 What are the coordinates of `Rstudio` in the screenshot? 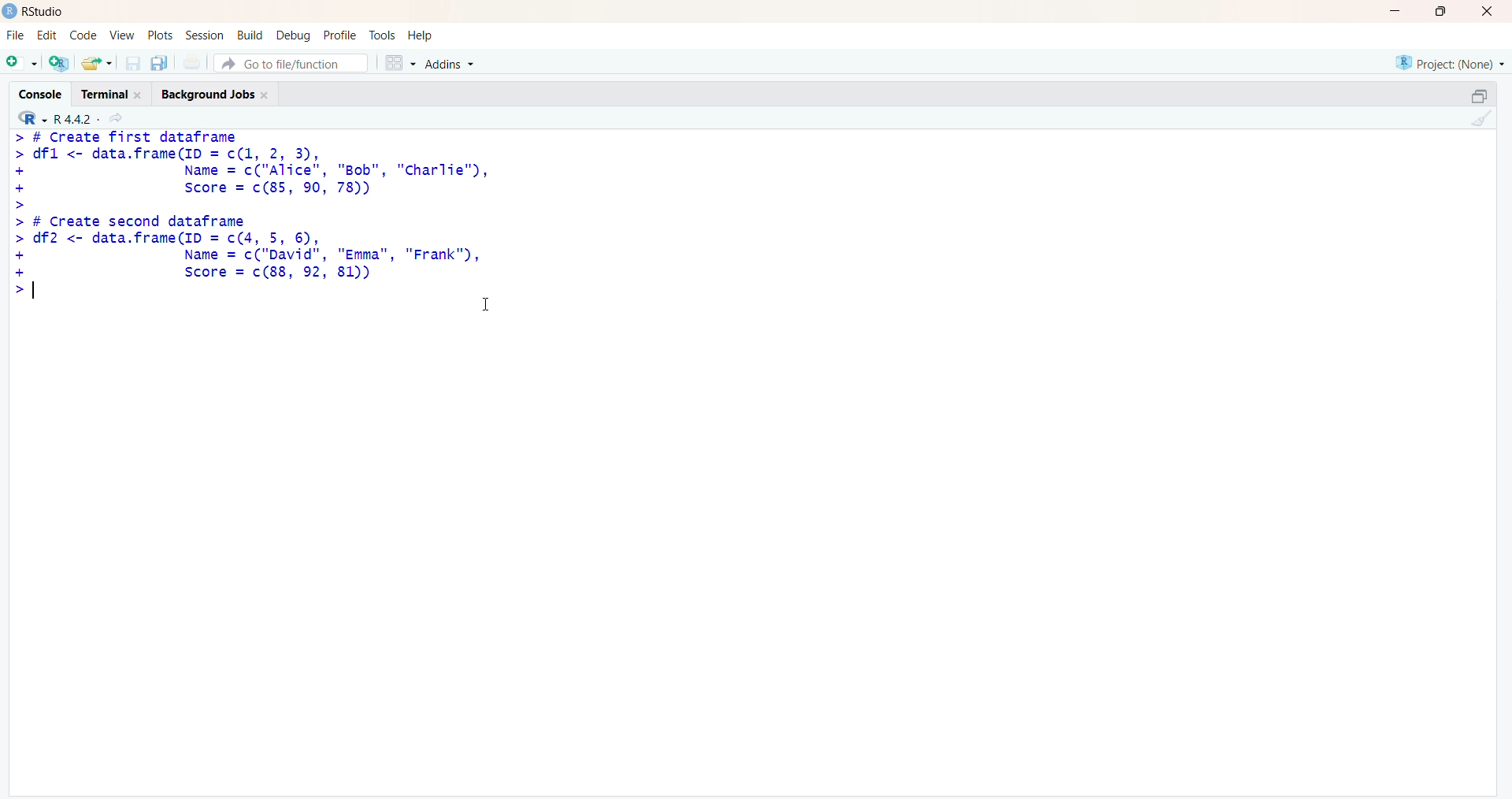 It's located at (44, 11).